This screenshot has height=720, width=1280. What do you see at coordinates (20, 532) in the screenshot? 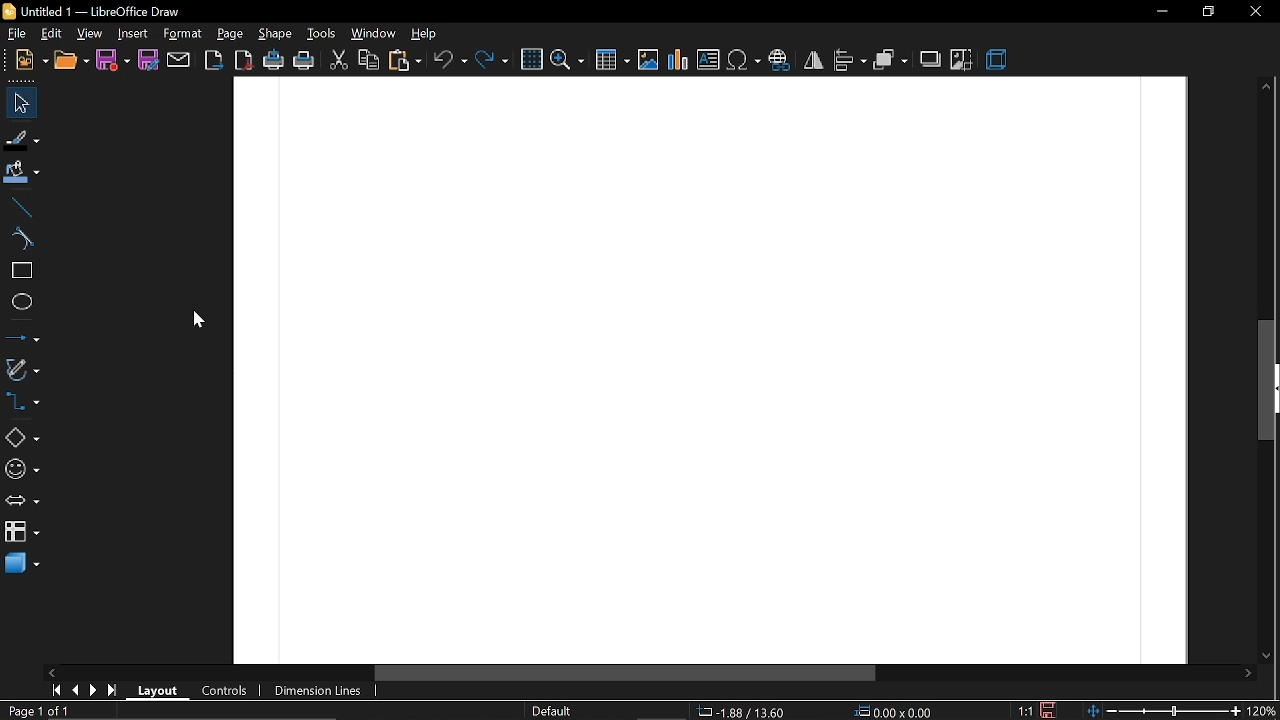
I see `flowchart` at bounding box center [20, 532].